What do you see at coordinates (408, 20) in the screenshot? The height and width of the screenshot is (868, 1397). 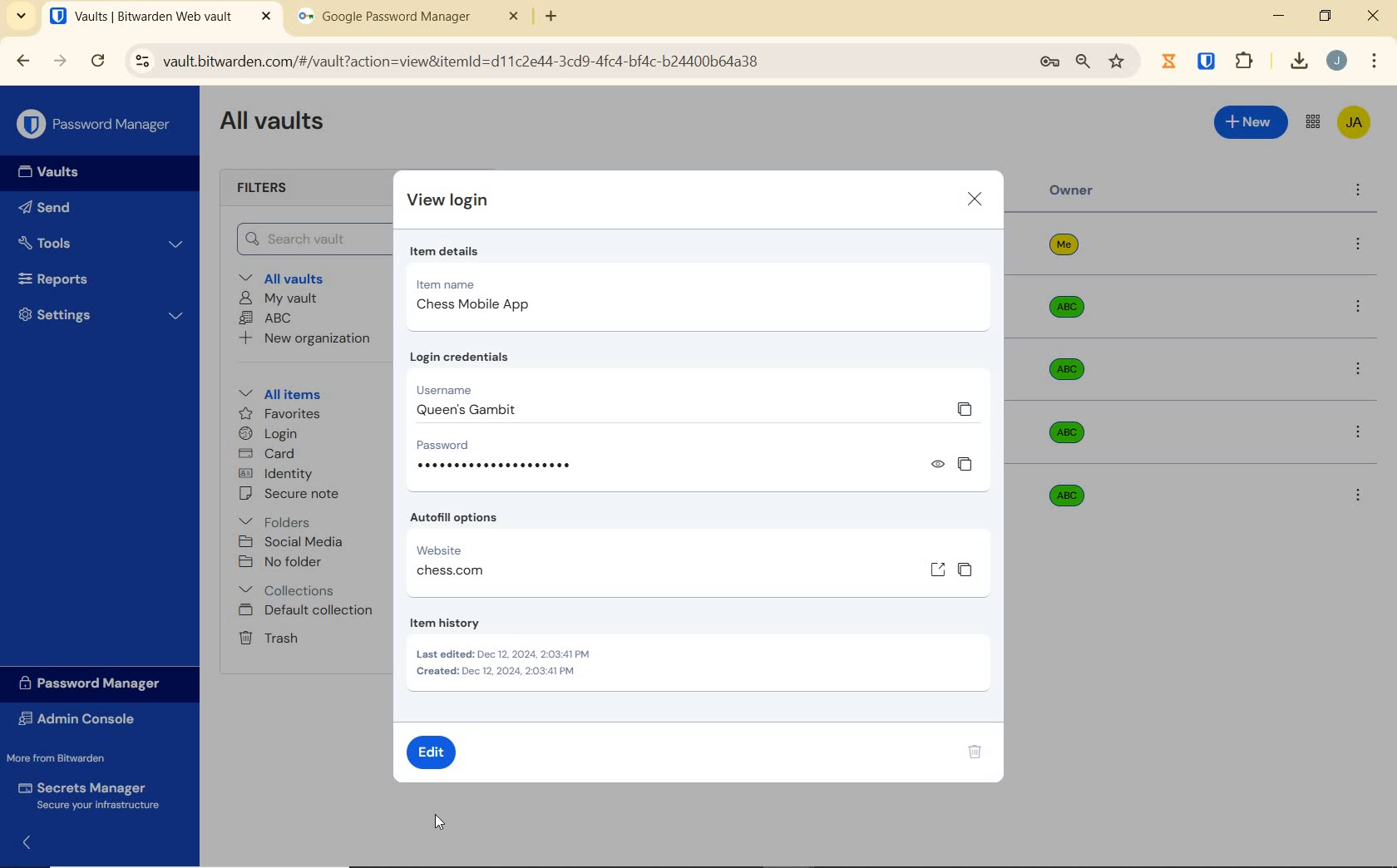 I see `tab` at bounding box center [408, 20].